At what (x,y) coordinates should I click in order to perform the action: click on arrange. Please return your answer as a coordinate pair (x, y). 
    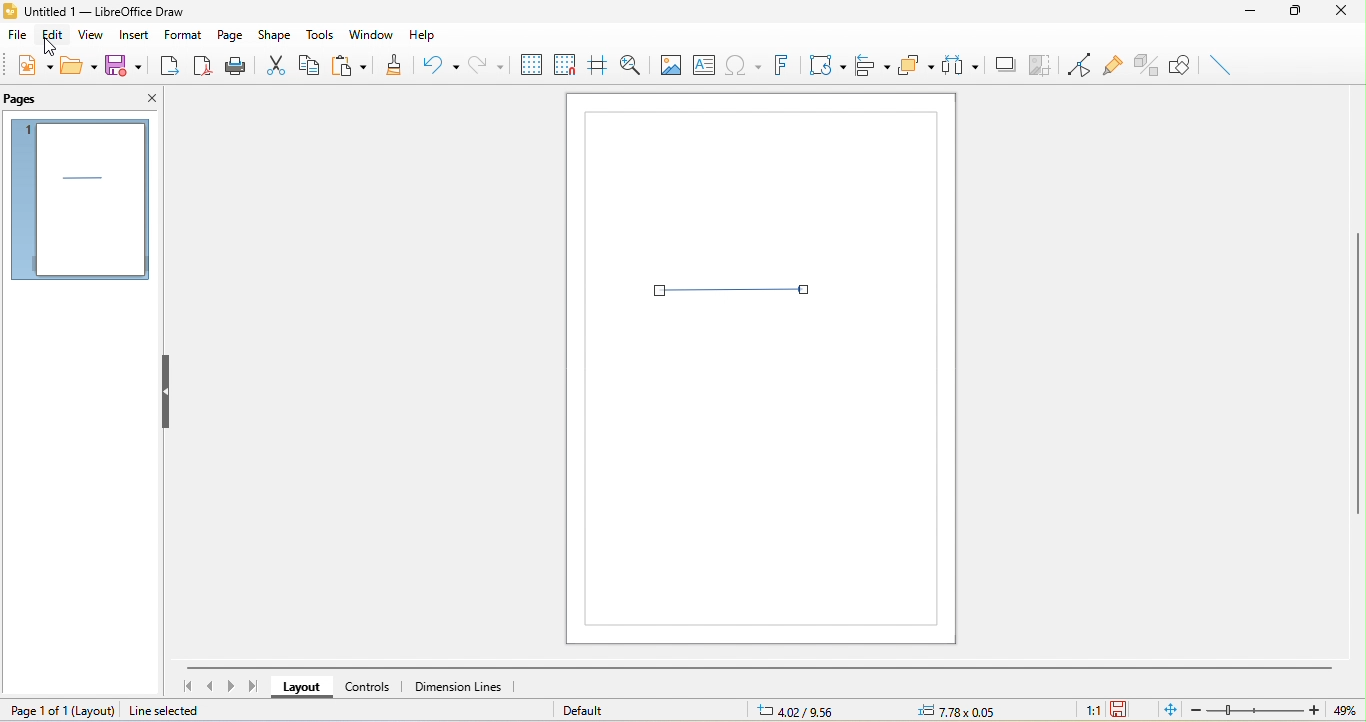
    Looking at the image, I should click on (917, 67).